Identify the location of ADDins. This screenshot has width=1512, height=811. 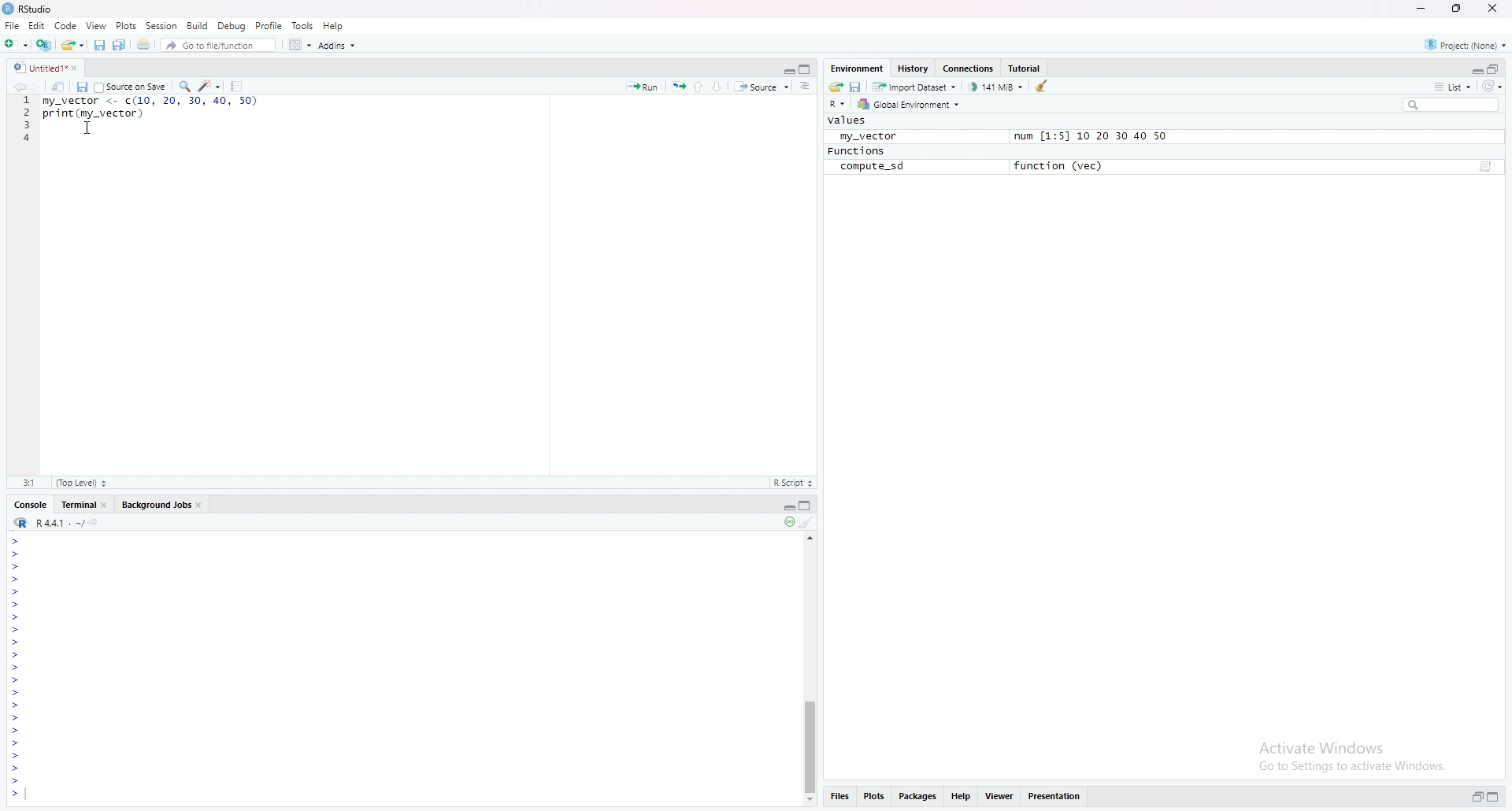
(336, 46).